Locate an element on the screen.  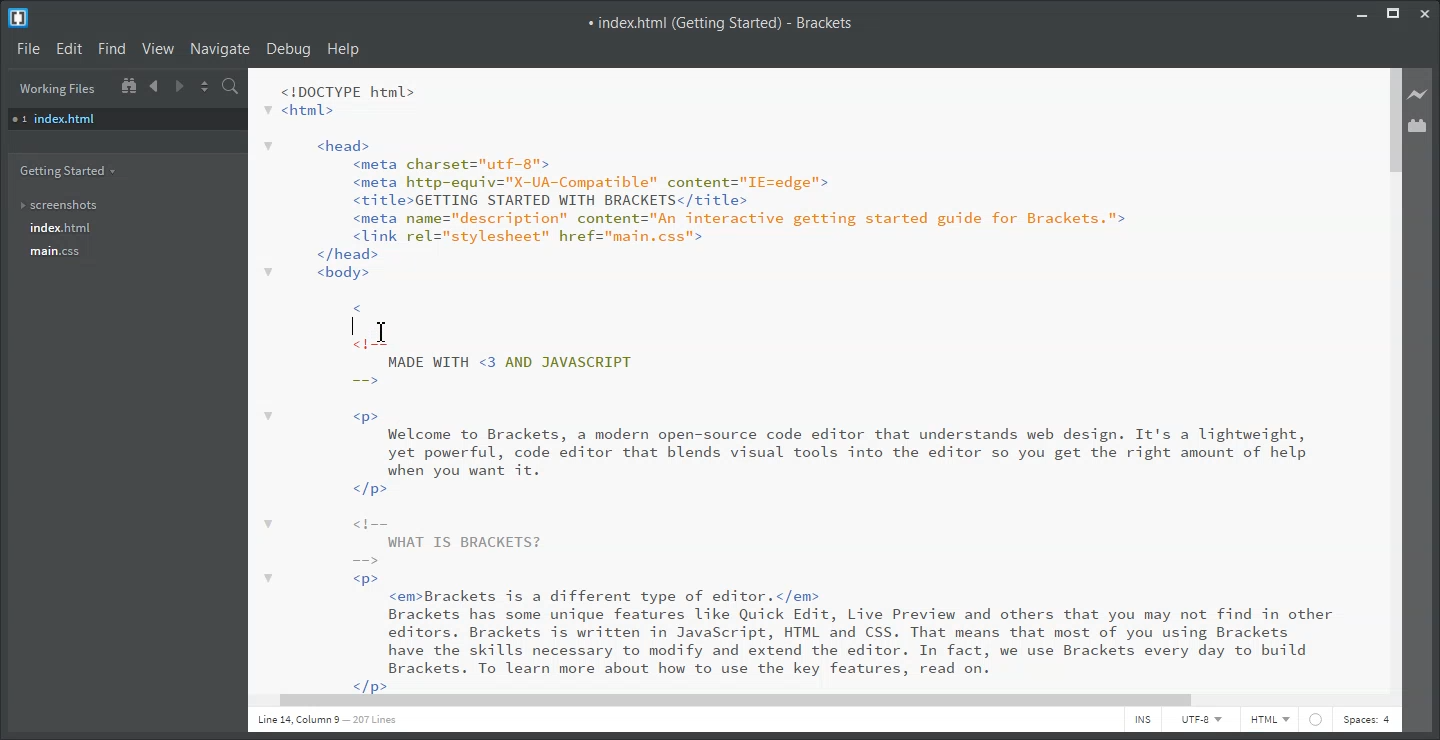
Getting Started is located at coordinates (69, 173).